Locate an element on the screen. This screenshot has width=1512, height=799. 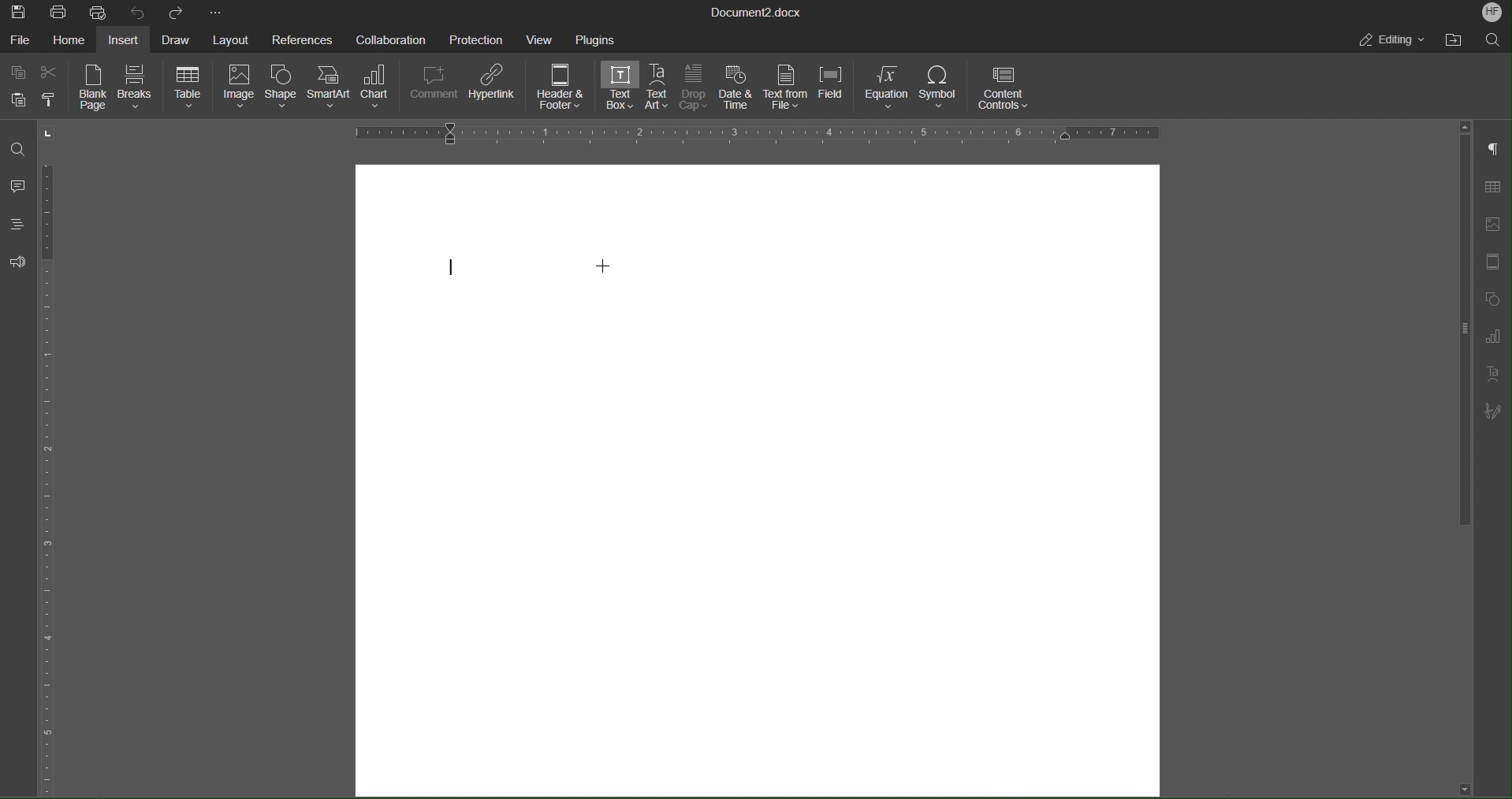
Open File Location is located at coordinates (1456, 39).